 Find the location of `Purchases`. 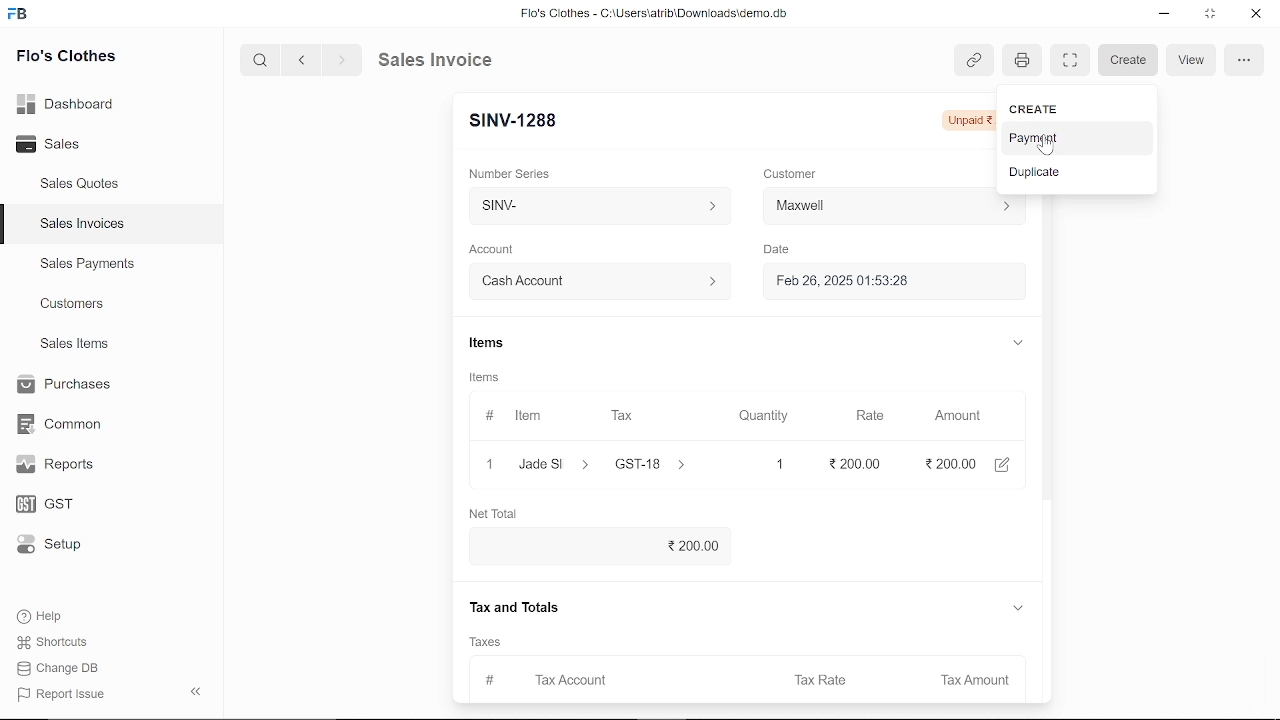

Purchases is located at coordinates (62, 385).